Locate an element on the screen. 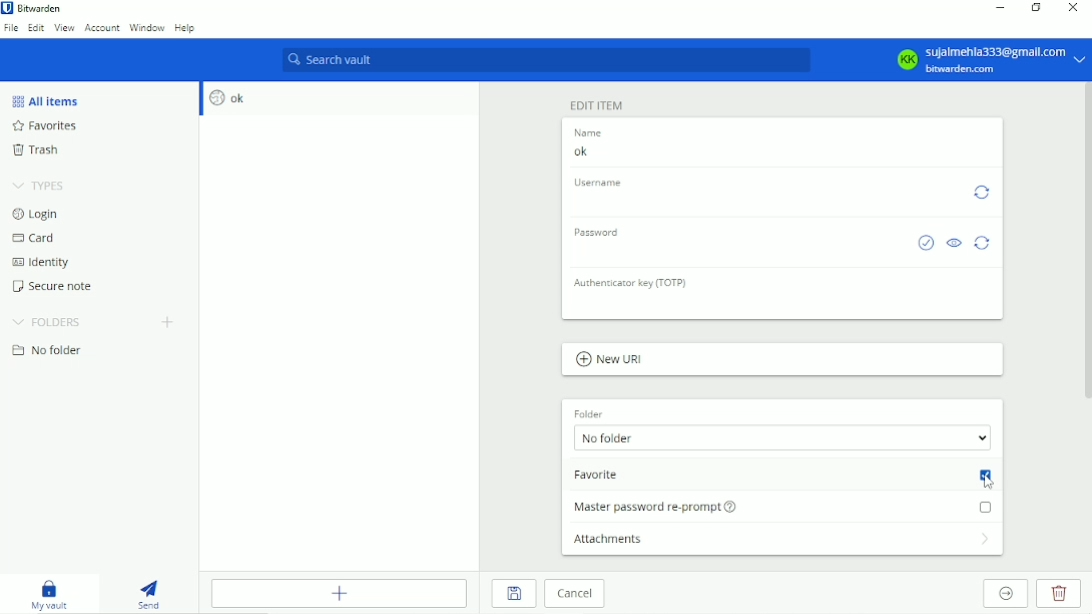 This screenshot has height=614, width=1092. Account is located at coordinates (102, 28).